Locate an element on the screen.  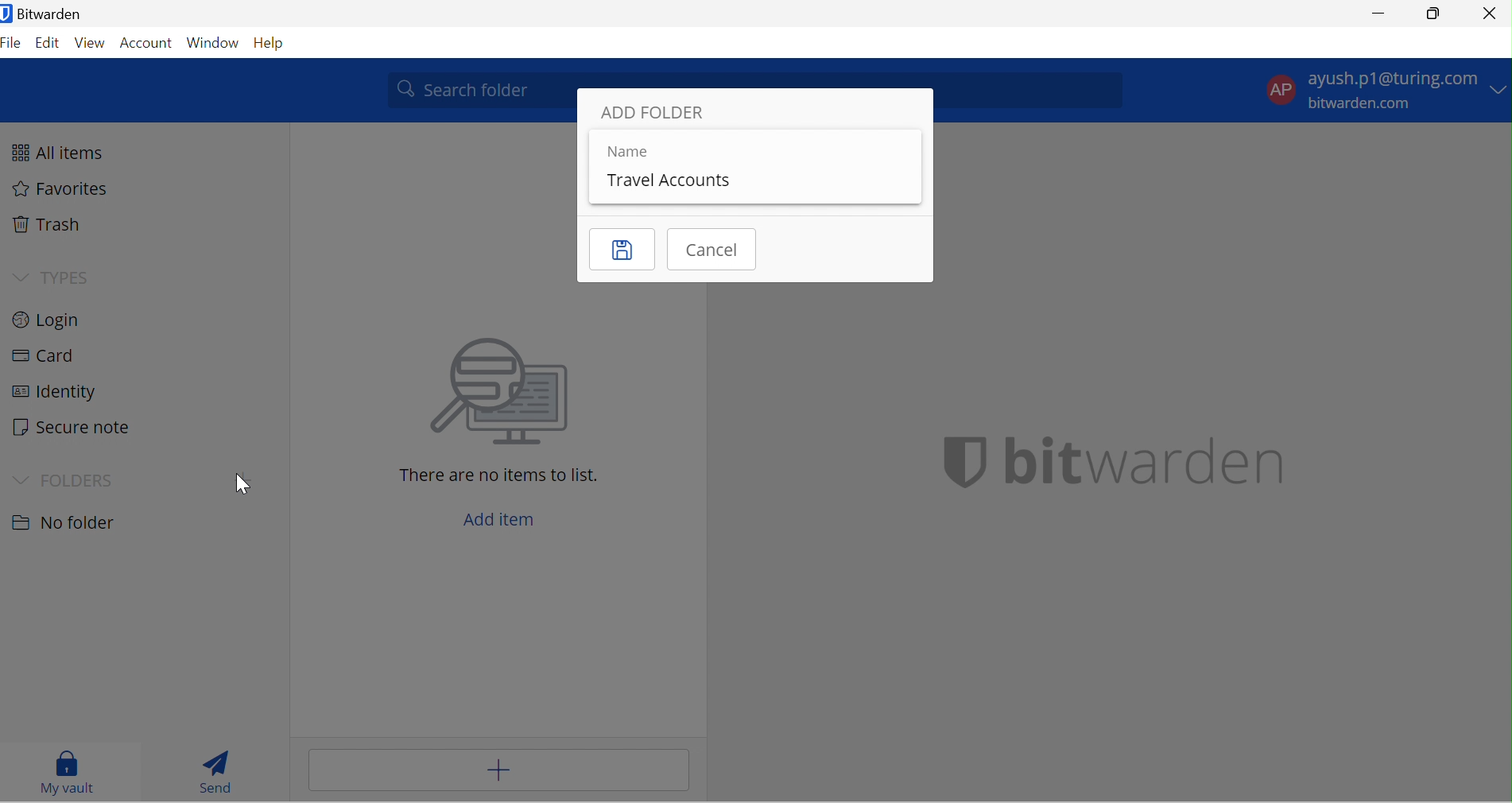
Edit is located at coordinates (48, 42).